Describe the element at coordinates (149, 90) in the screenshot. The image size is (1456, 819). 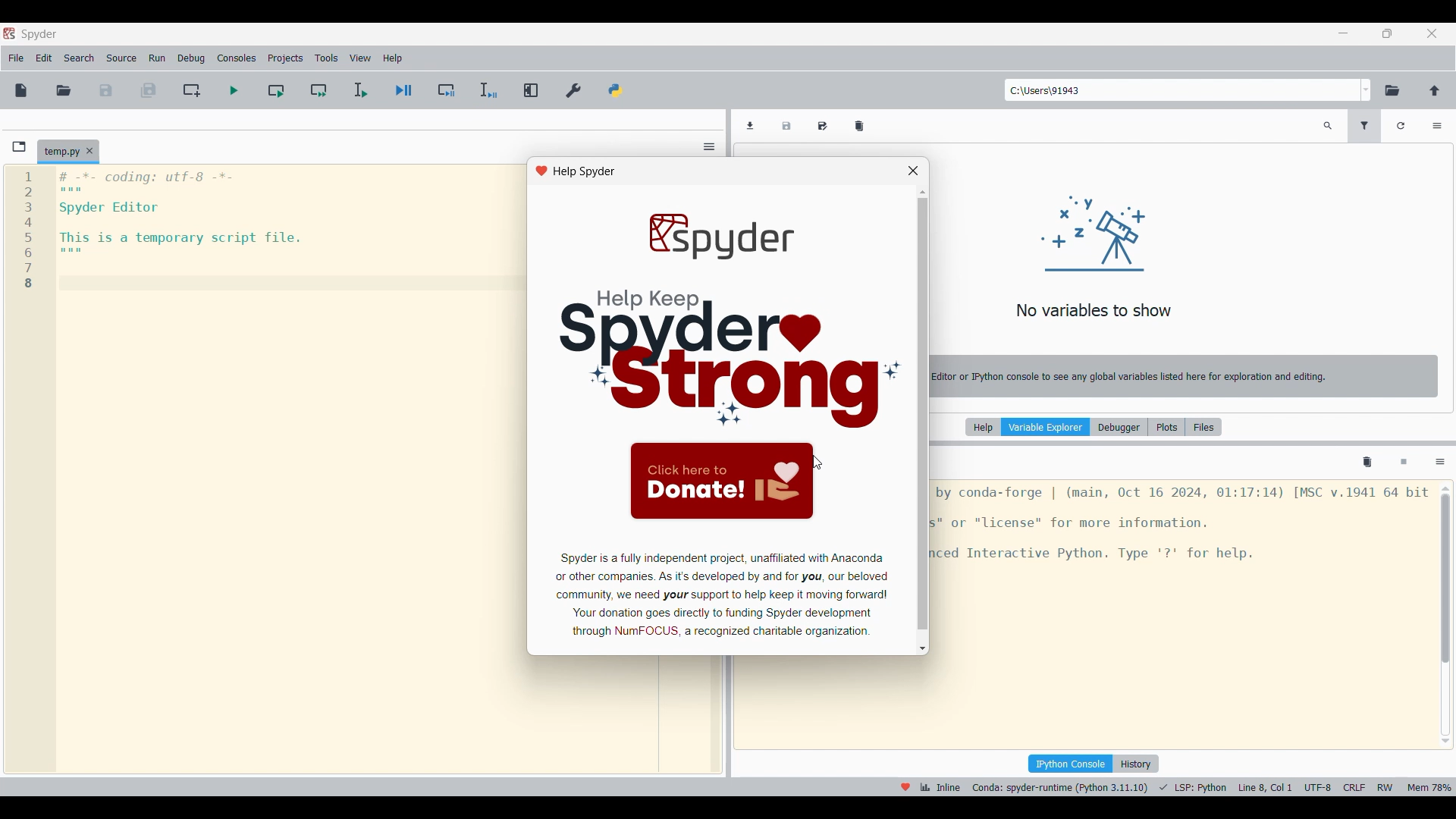
I see `Save all files` at that location.